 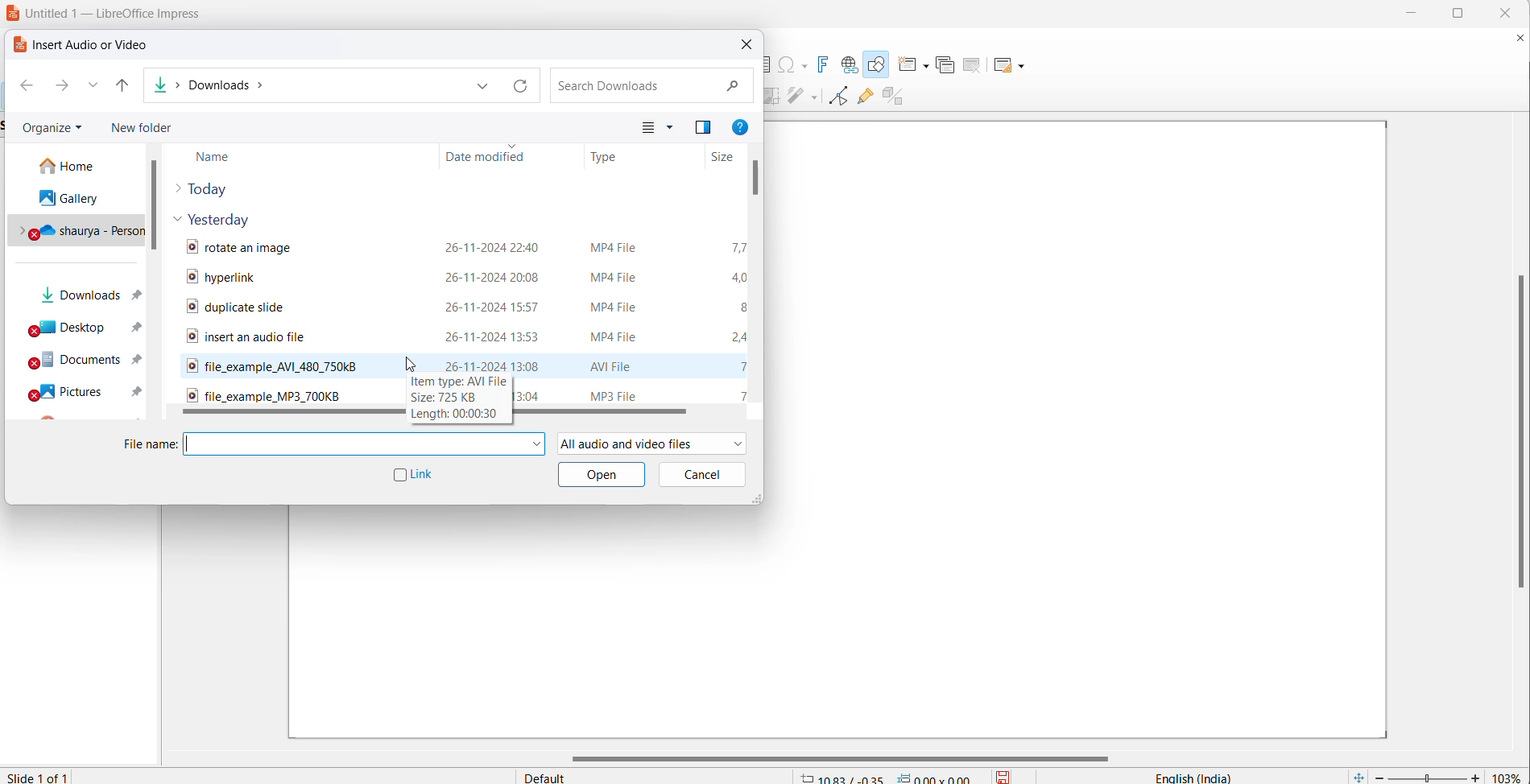 What do you see at coordinates (1429, 777) in the screenshot?
I see `zoom slide` at bounding box center [1429, 777].